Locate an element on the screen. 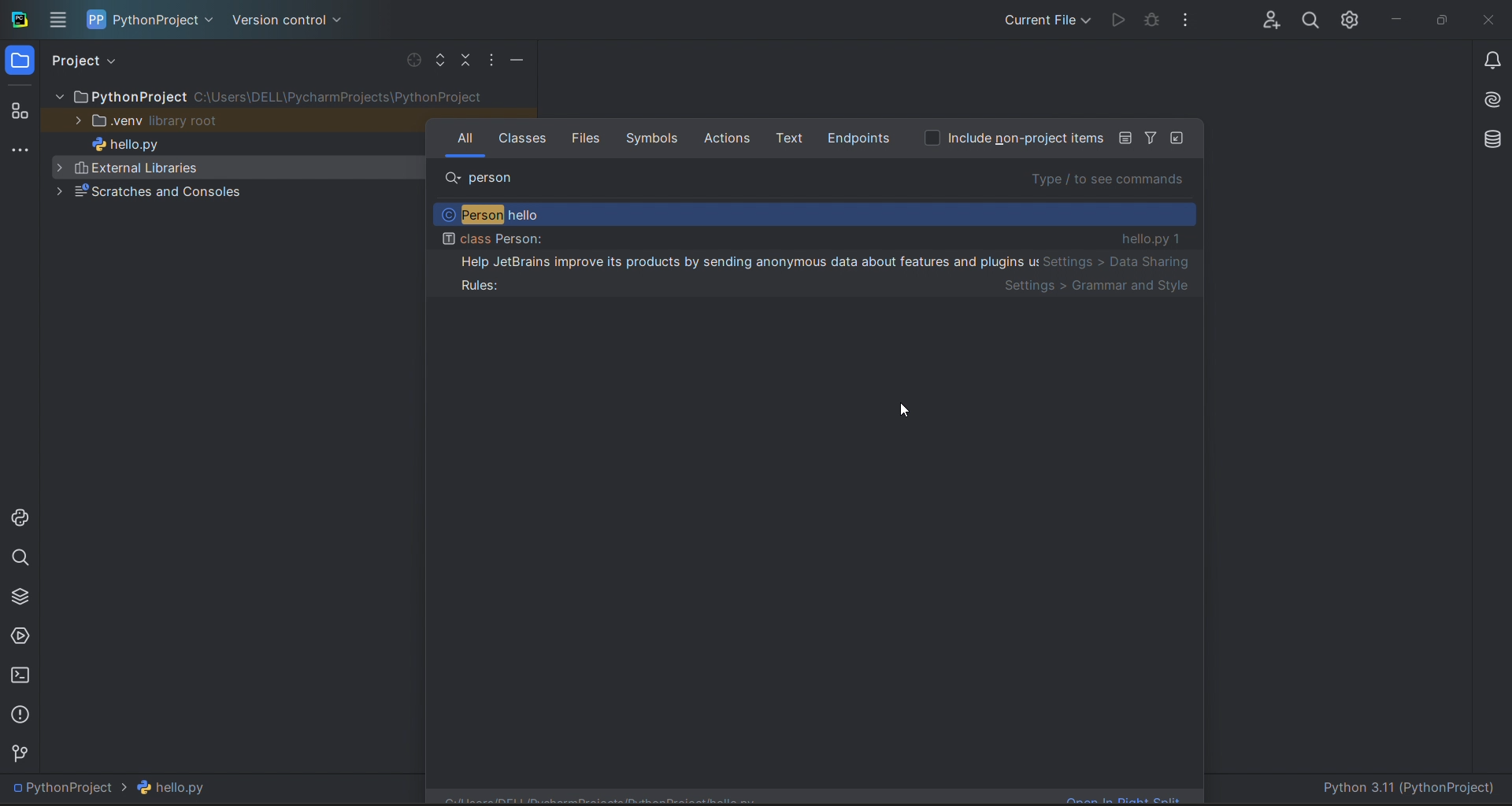 This screenshot has width=1512, height=806. minimize is located at coordinates (1394, 18).